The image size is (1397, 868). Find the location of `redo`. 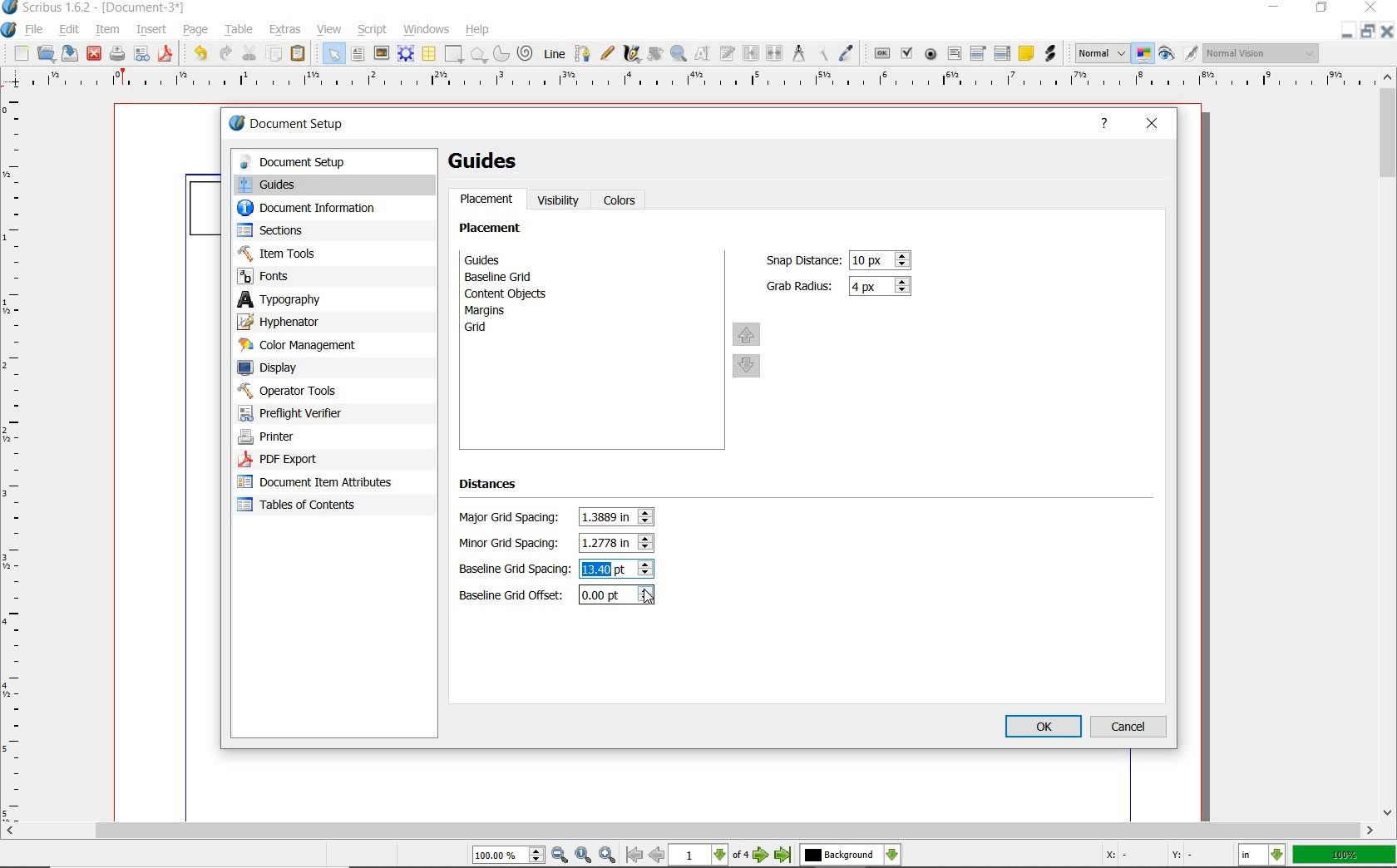

redo is located at coordinates (225, 54).